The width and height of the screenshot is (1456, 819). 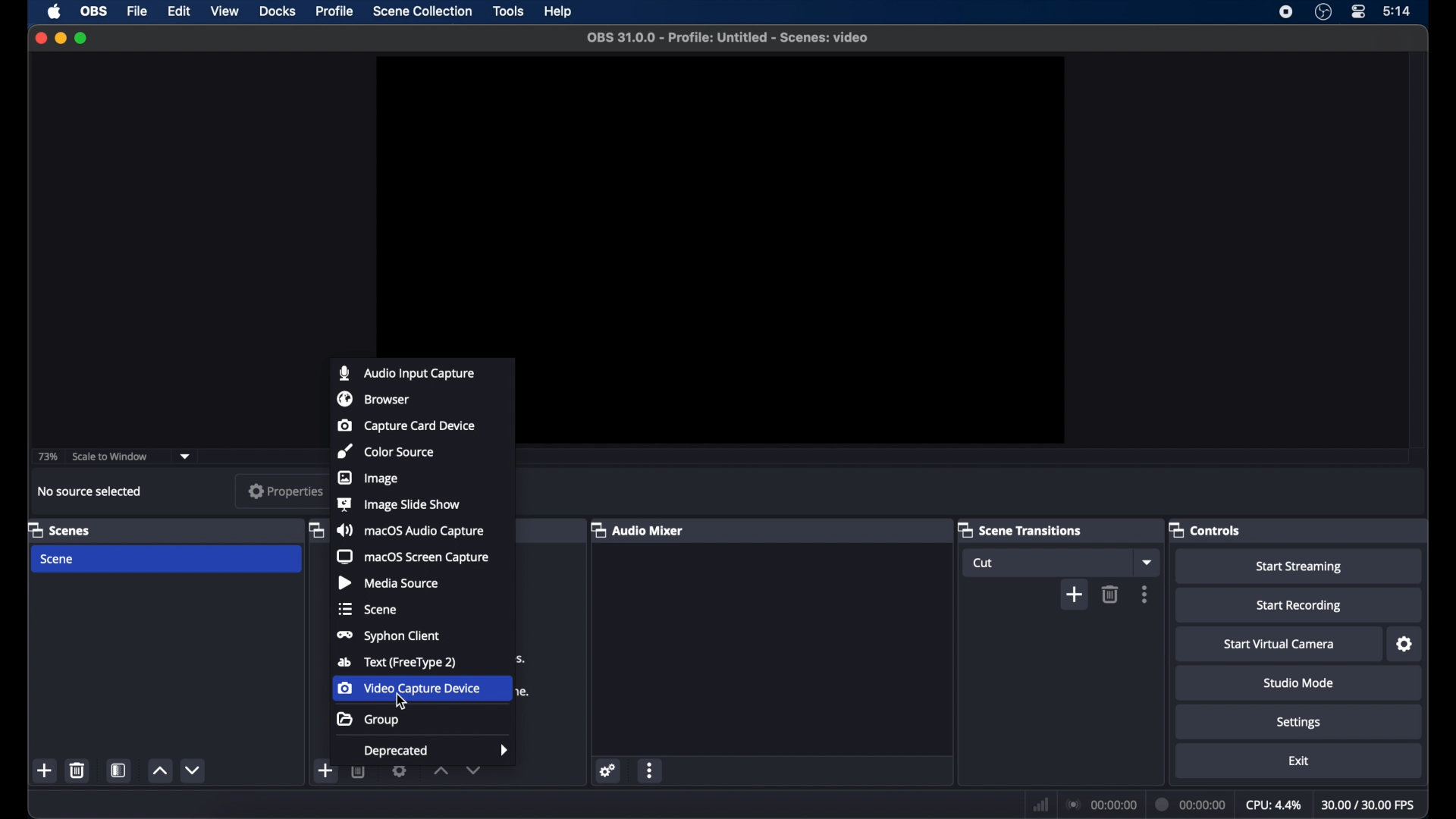 What do you see at coordinates (284, 492) in the screenshot?
I see `properties` at bounding box center [284, 492].